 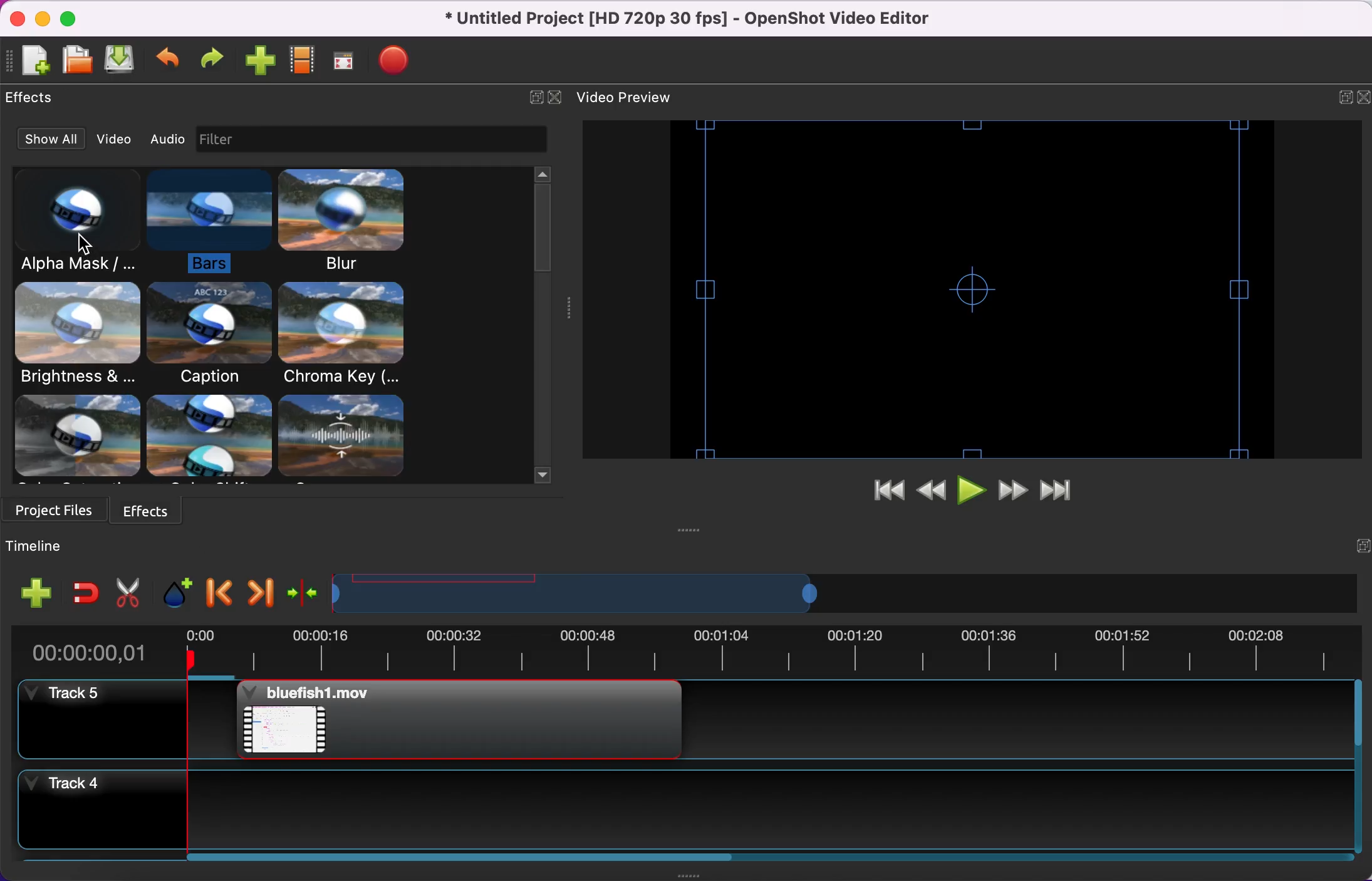 What do you see at coordinates (204, 222) in the screenshot?
I see `bars` at bounding box center [204, 222].